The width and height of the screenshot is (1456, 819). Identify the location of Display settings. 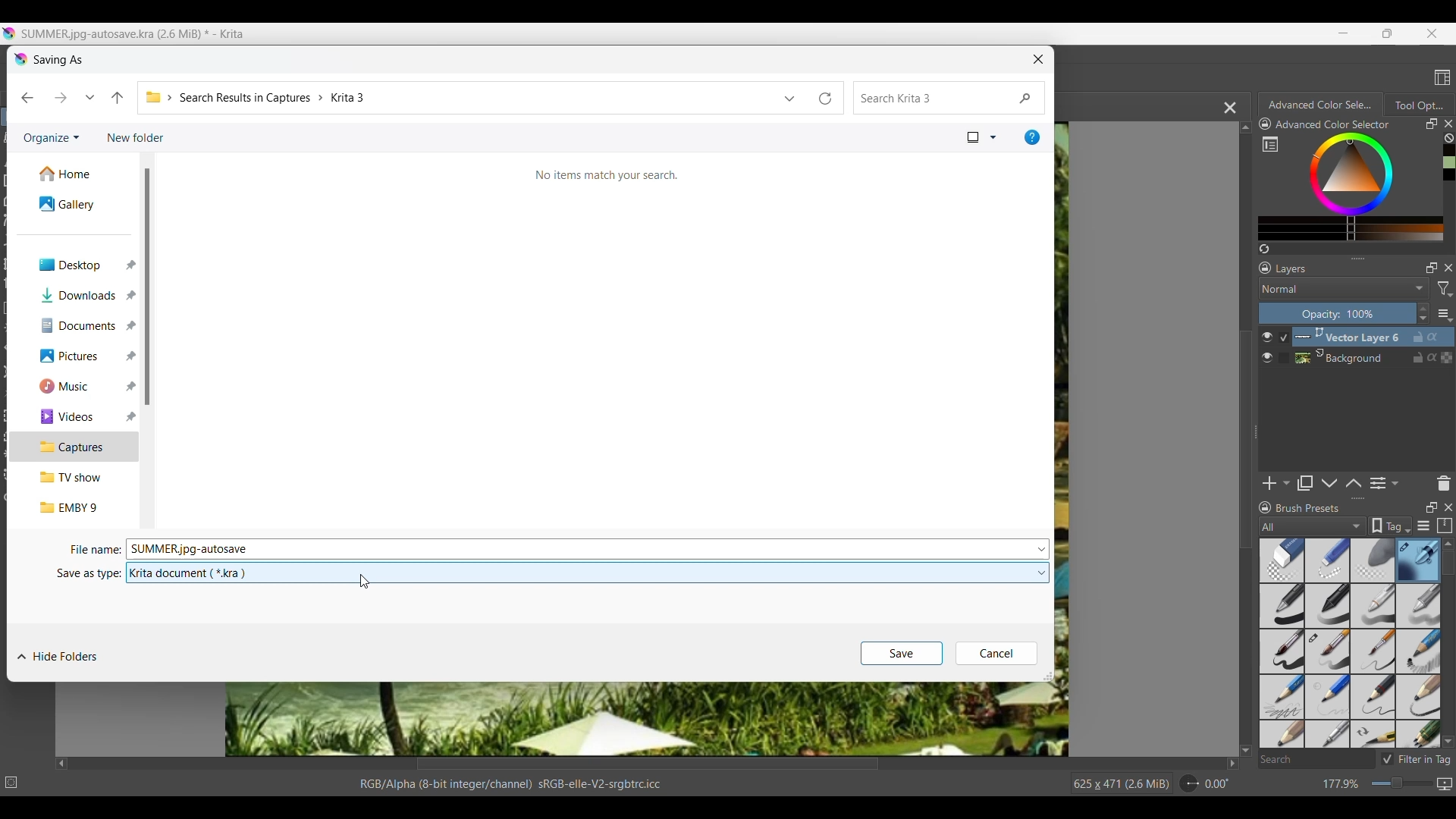
(1423, 526).